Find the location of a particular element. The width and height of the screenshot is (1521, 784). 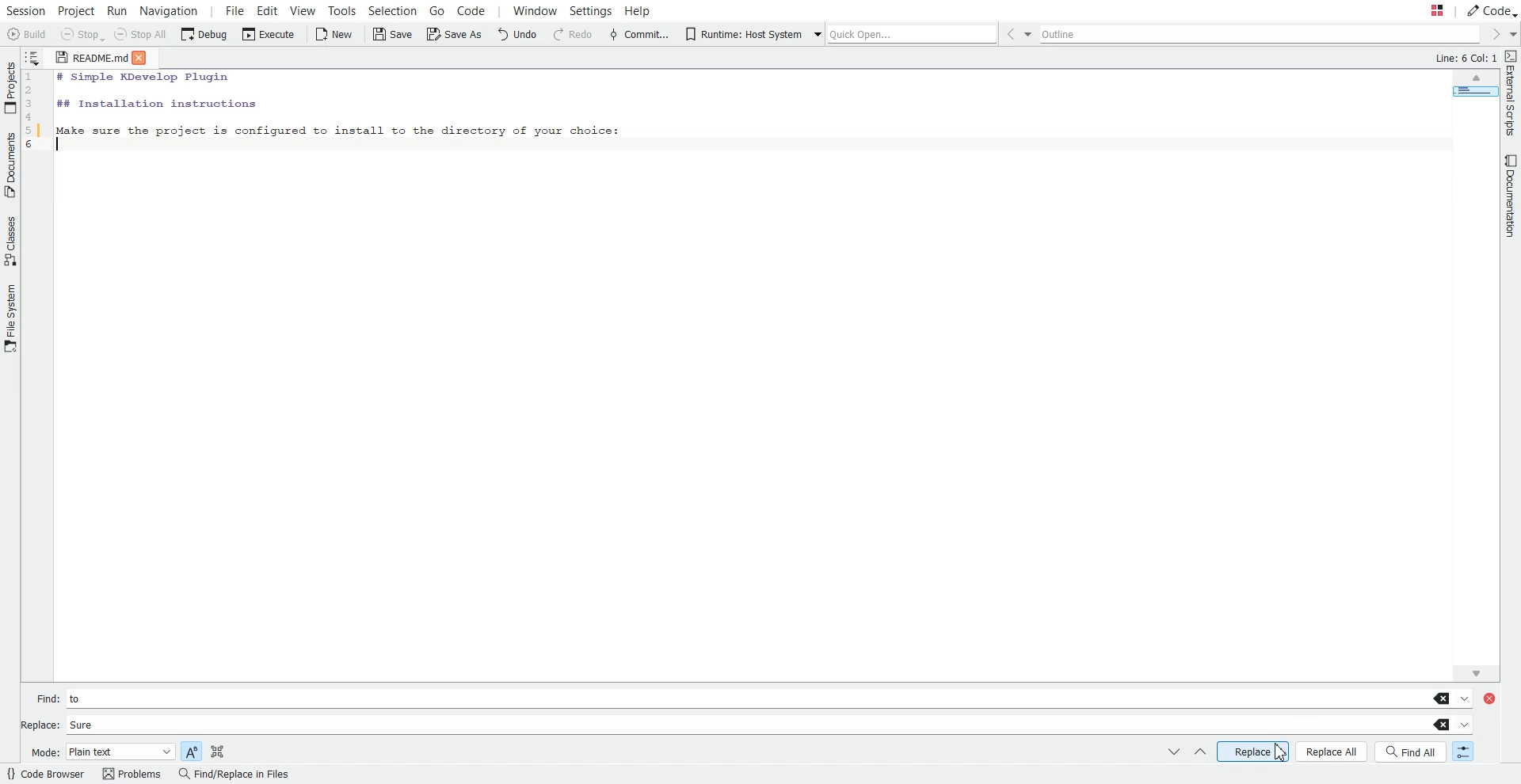

Documentation is located at coordinates (1507, 197).